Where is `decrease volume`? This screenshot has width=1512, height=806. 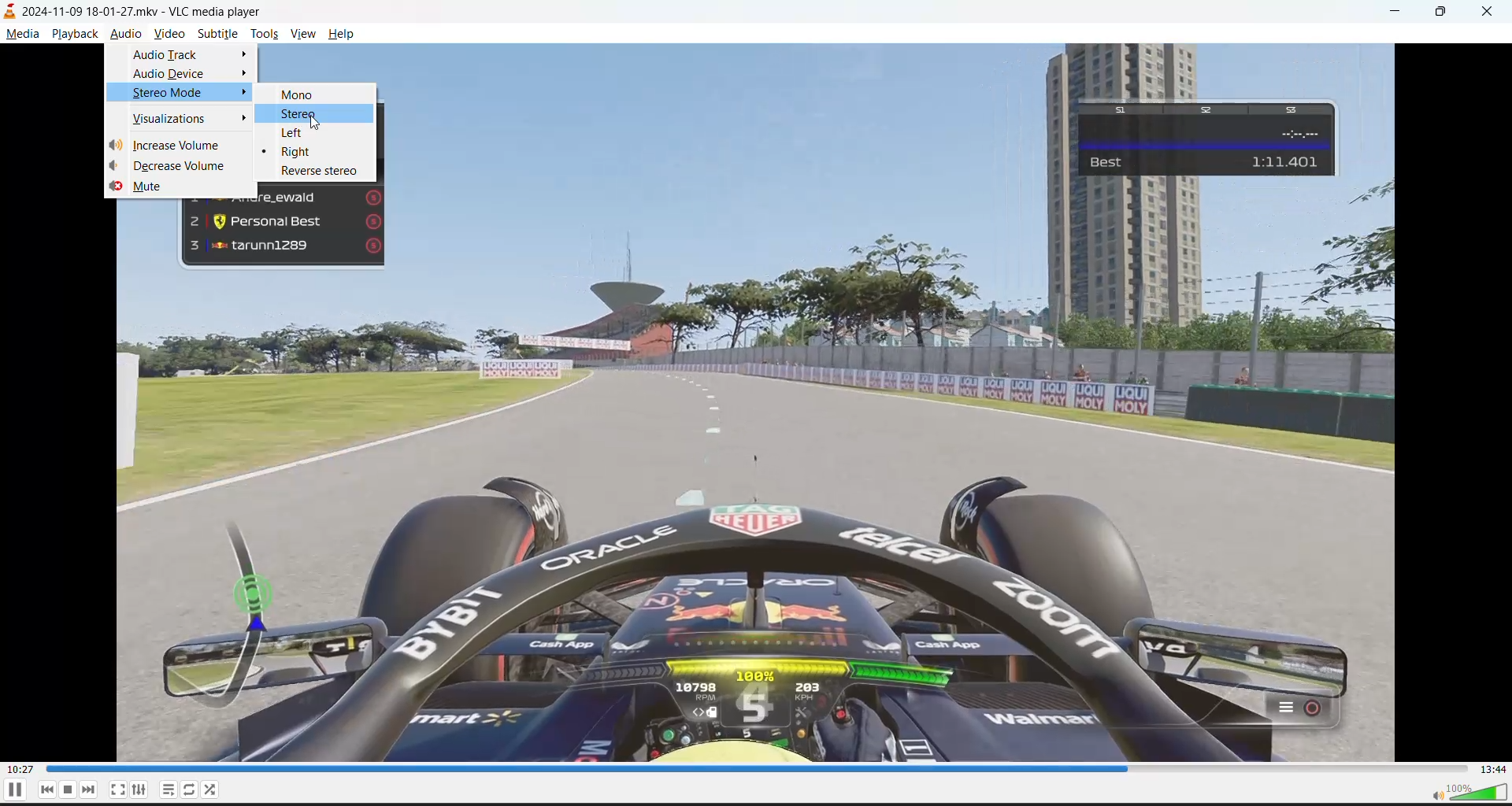
decrease volume is located at coordinates (168, 165).